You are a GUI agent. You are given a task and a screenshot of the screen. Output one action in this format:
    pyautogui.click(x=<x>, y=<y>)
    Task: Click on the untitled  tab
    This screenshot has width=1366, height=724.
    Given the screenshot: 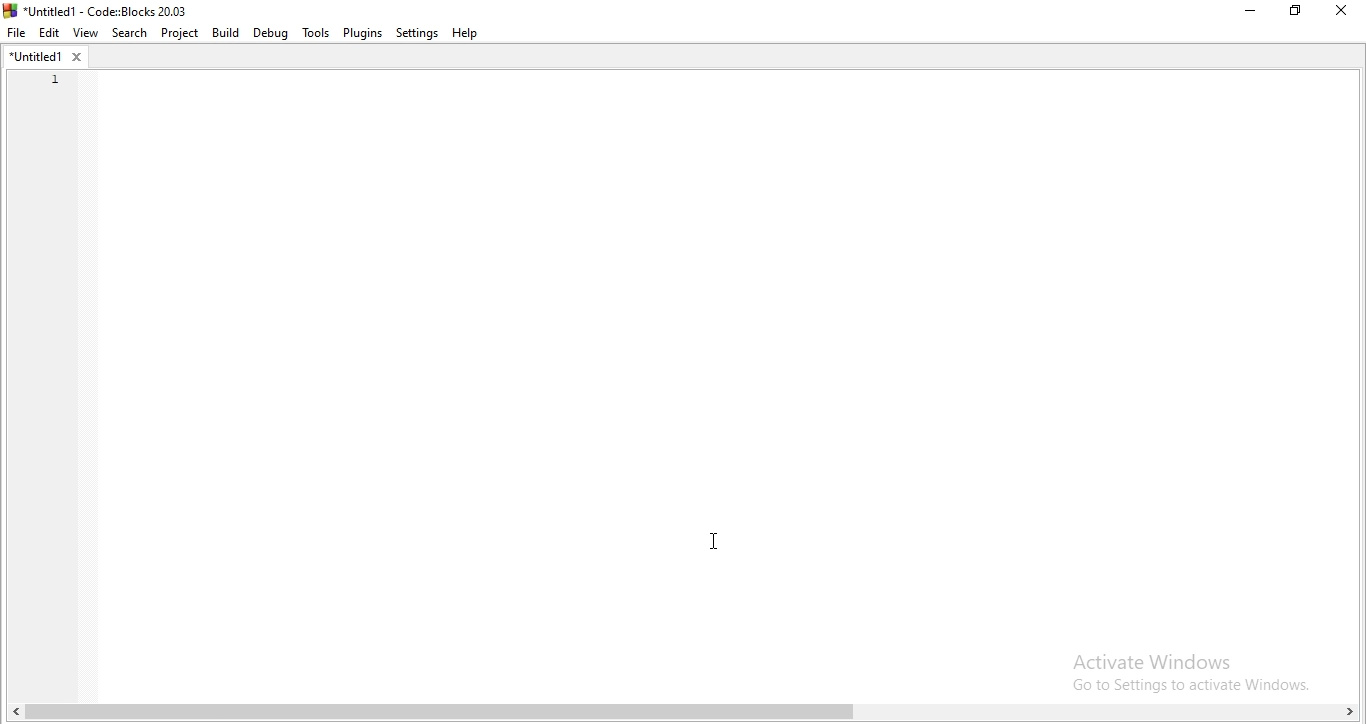 What is the action you would take?
    pyautogui.click(x=45, y=81)
    